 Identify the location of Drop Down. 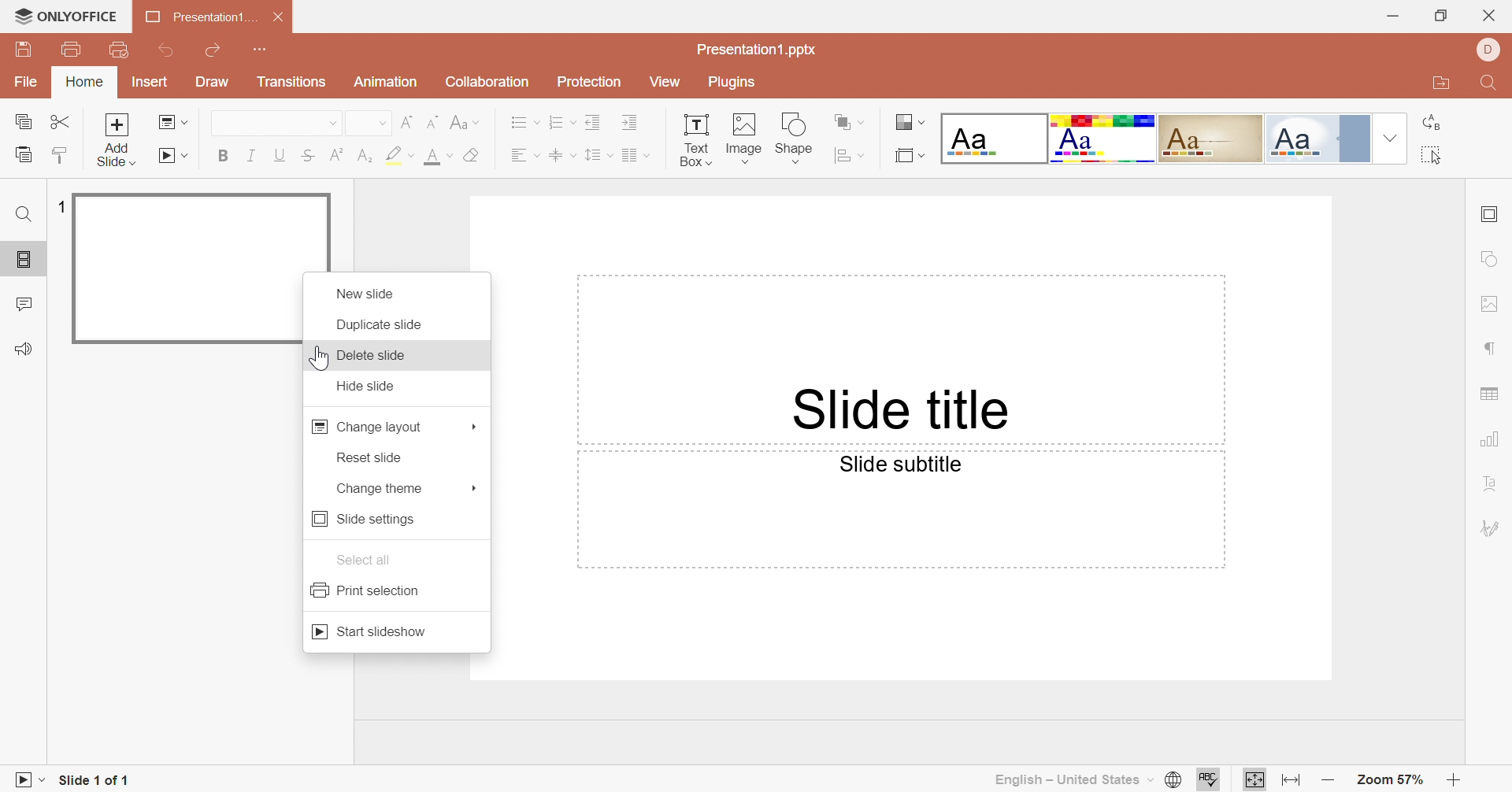
(572, 155).